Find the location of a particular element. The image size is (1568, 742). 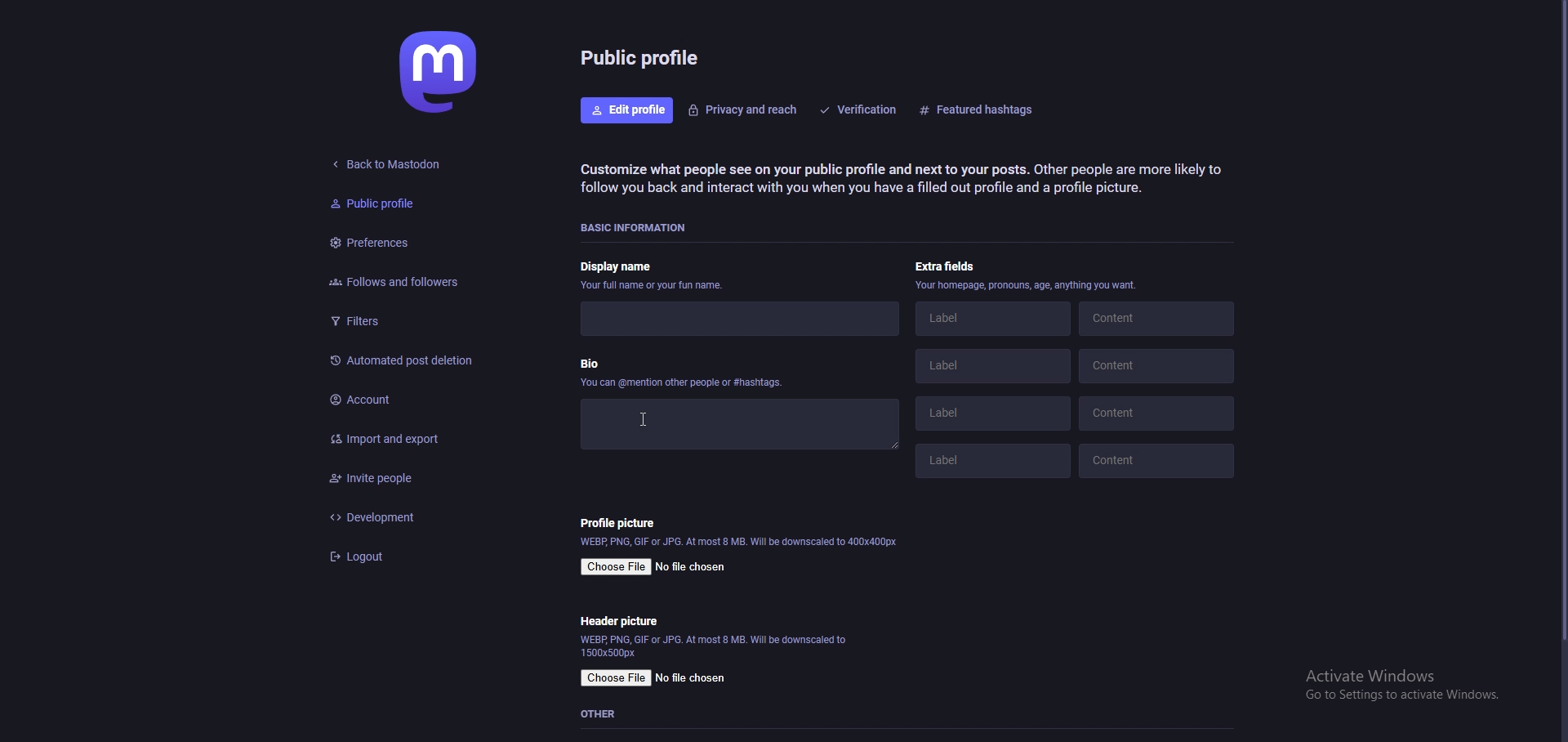

edit profile is located at coordinates (629, 110).